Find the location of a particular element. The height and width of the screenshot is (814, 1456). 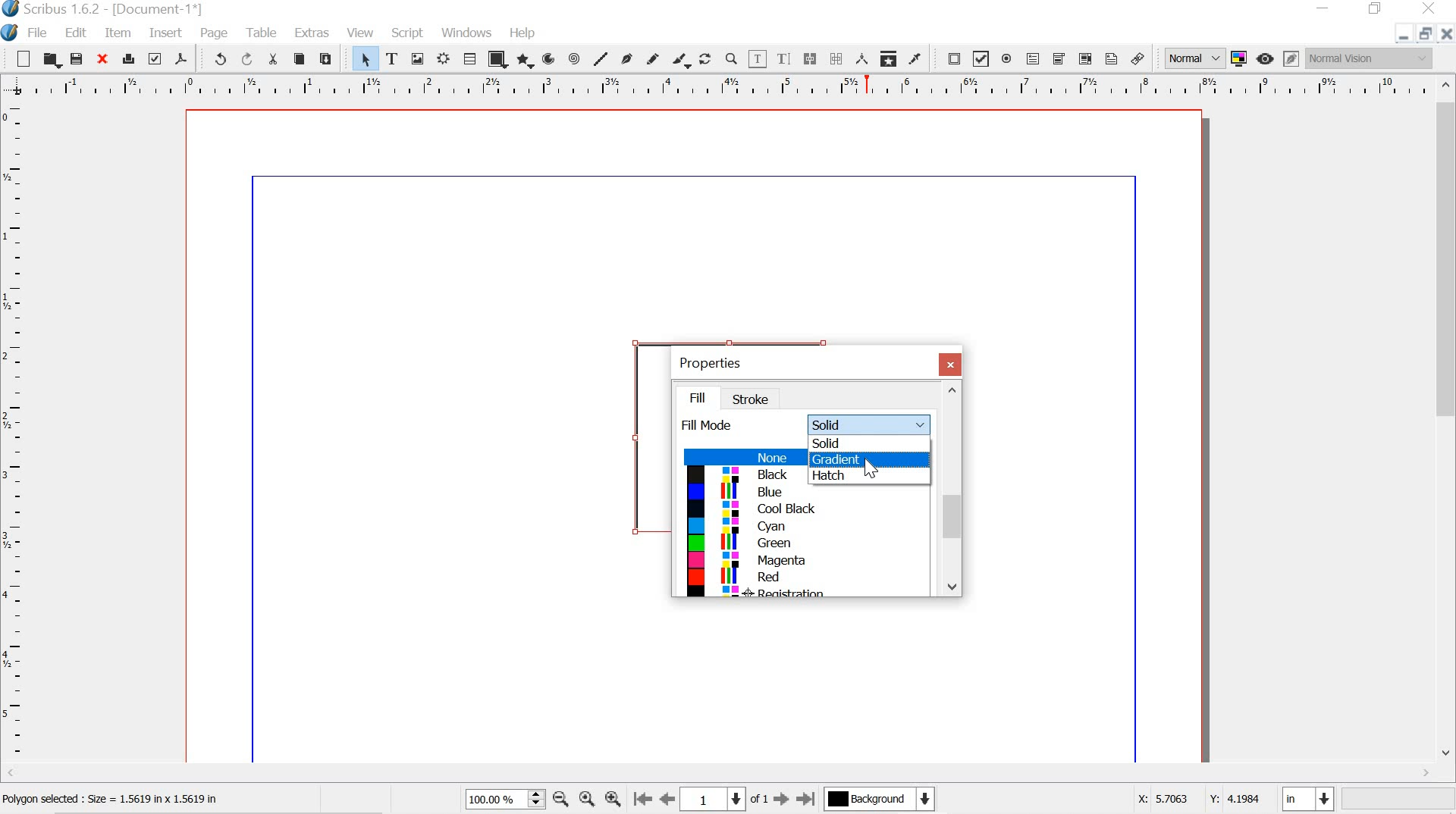

edit is located at coordinates (78, 32).